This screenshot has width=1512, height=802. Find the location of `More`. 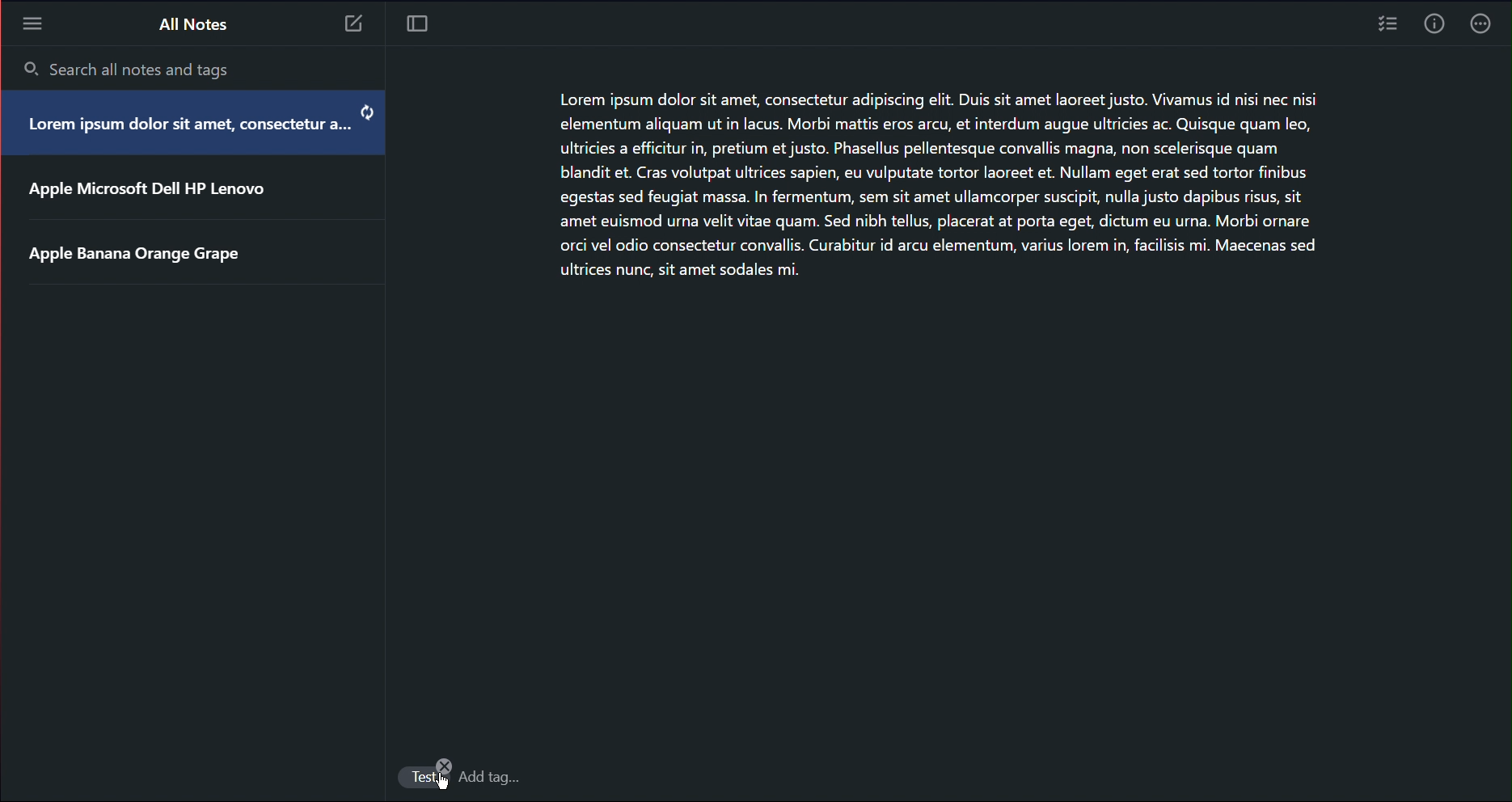

More is located at coordinates (32, 23).